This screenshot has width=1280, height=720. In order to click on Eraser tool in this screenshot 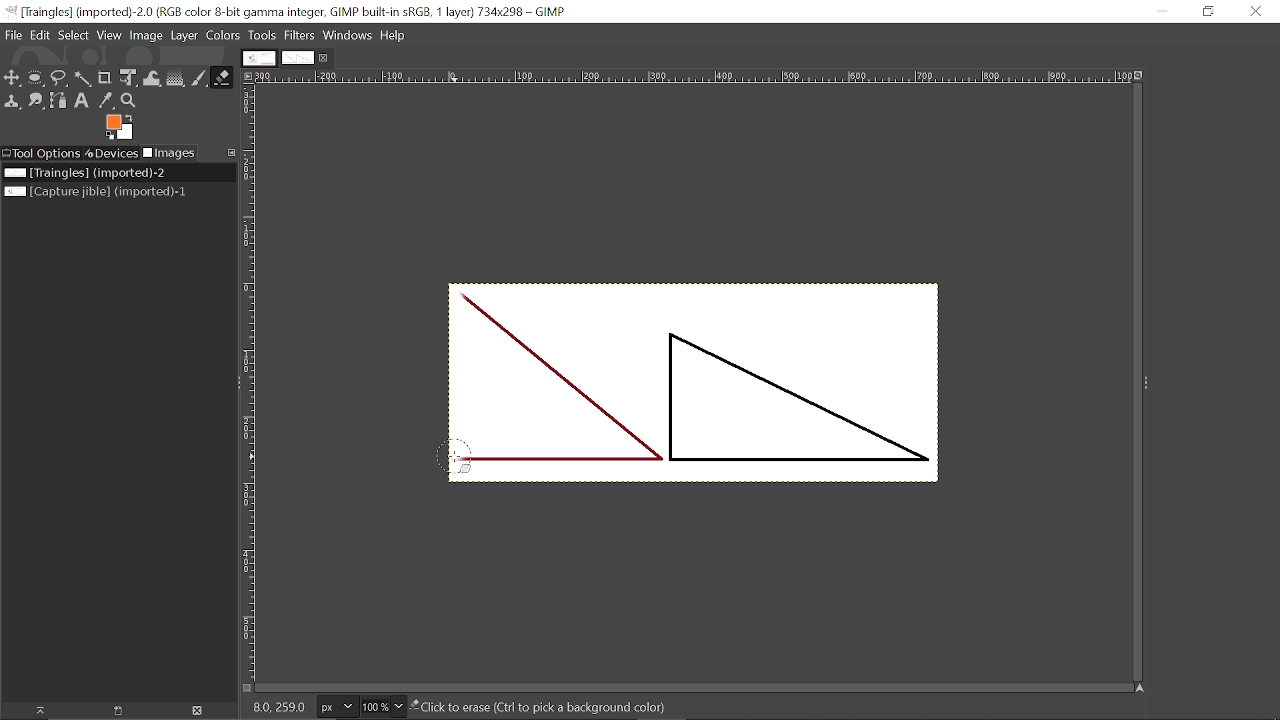, I will do `click(222, 77)`.